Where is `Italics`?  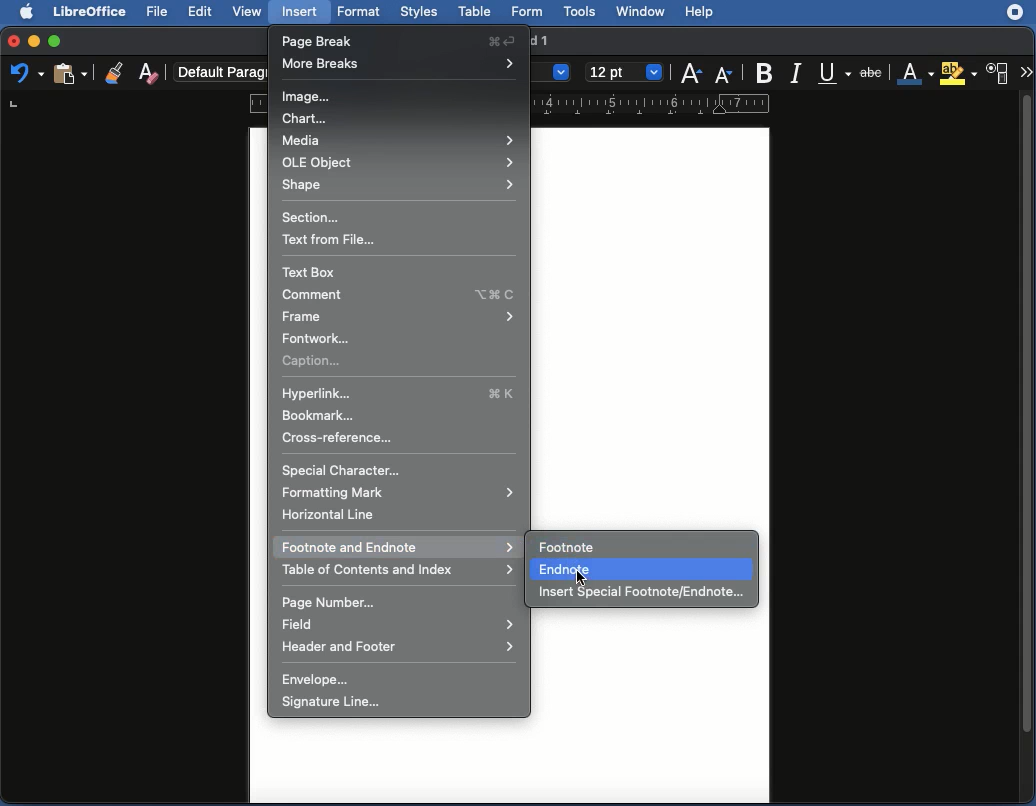
Italics is located at coordinates (800, 72).